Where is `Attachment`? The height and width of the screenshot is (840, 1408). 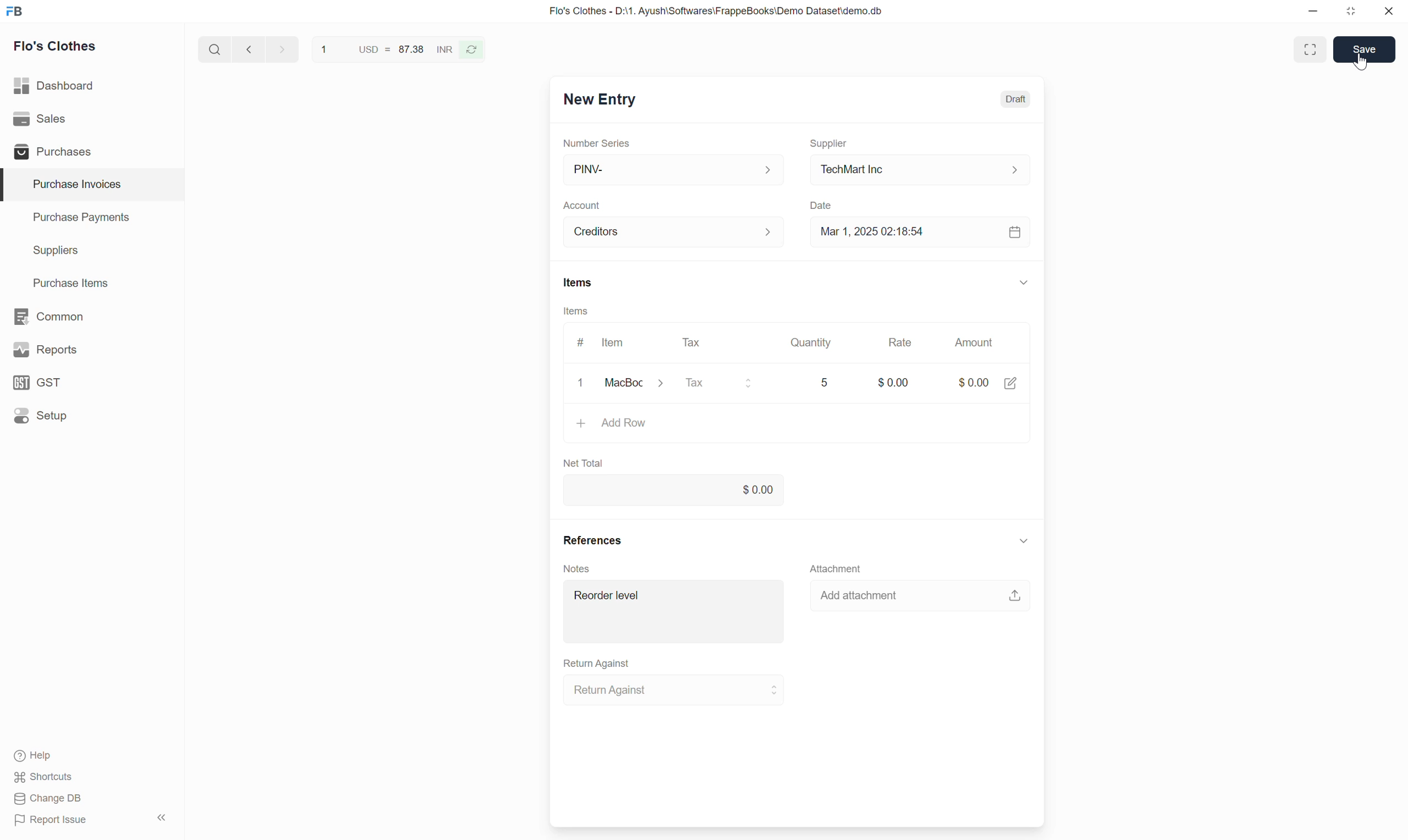 Attachment is located at coordinates (836, 568).